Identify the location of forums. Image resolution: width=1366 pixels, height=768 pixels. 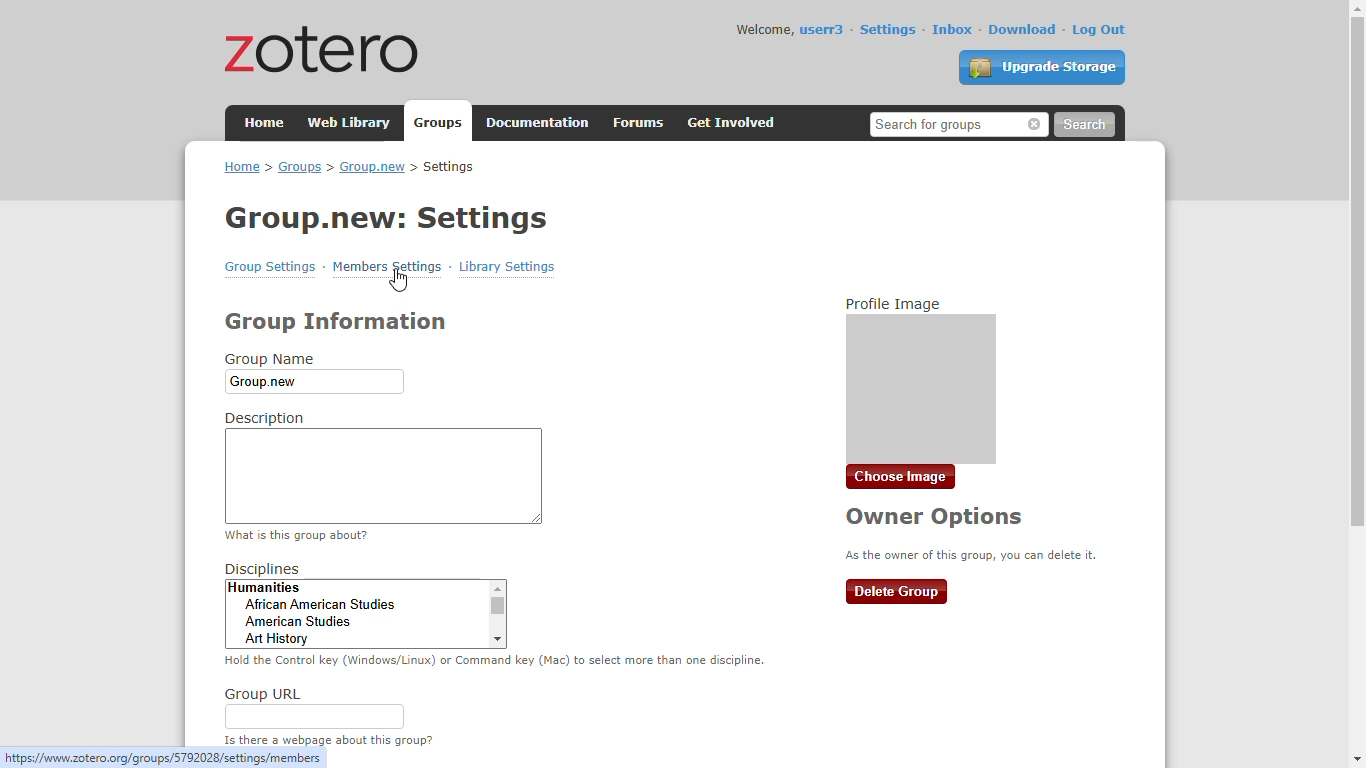
(639, 123).